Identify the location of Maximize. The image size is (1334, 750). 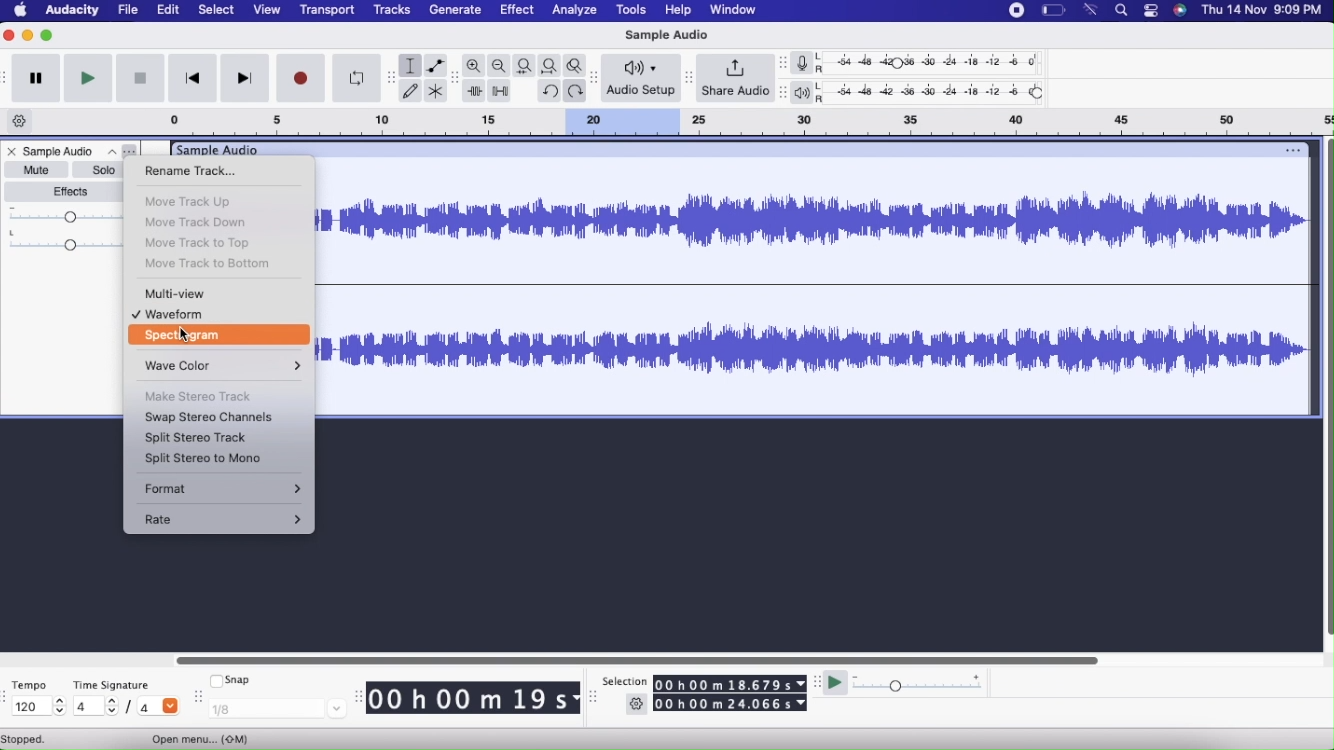
(47, 35).